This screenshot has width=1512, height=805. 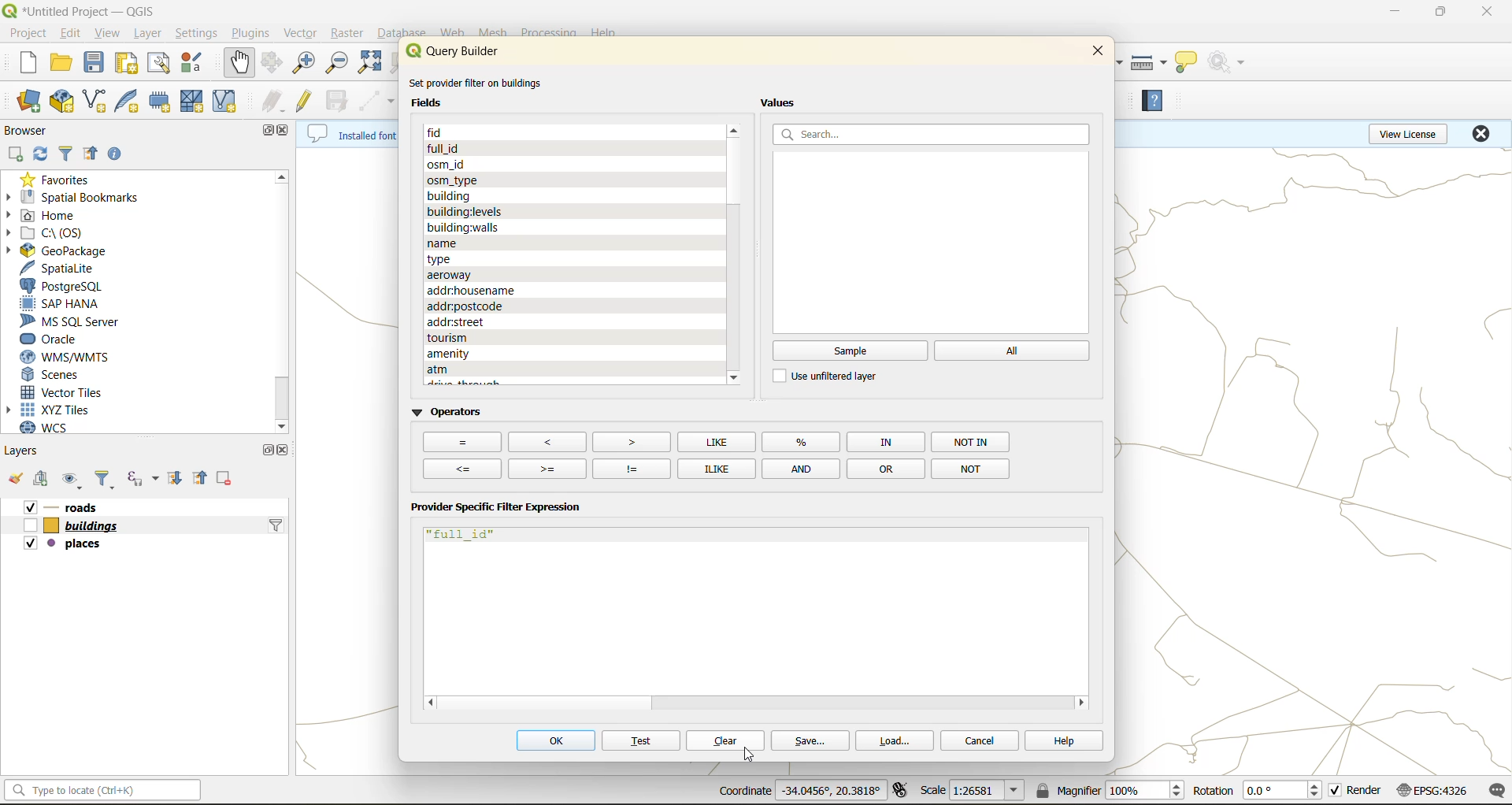 What do you see at coordinates (1193, 61) in the screenshot?
I see `show tips` at bounding box center [1193, 61].